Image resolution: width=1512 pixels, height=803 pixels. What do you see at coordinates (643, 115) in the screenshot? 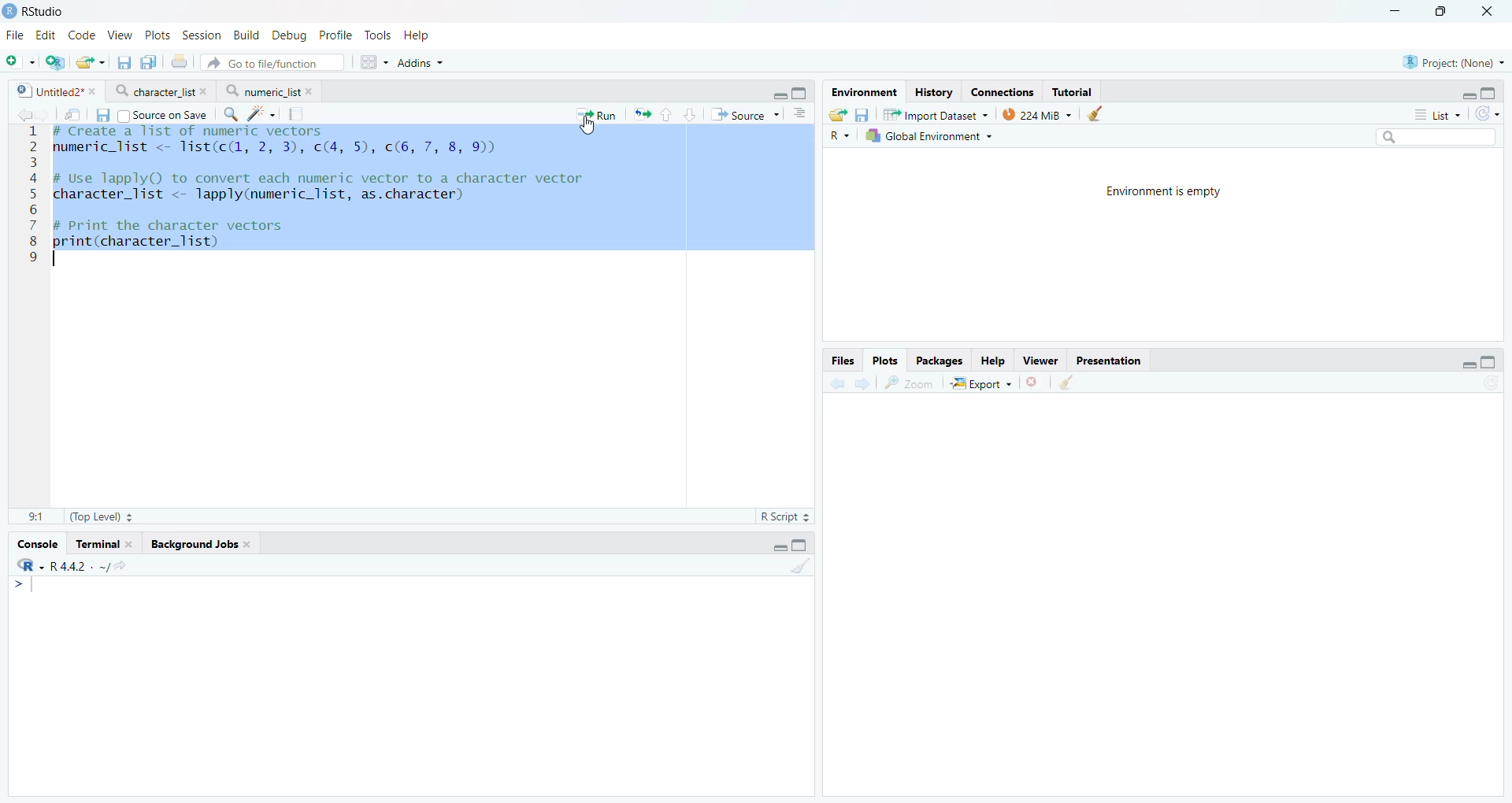
I see `Re-run previous code section` at bounding box center [643, 115].